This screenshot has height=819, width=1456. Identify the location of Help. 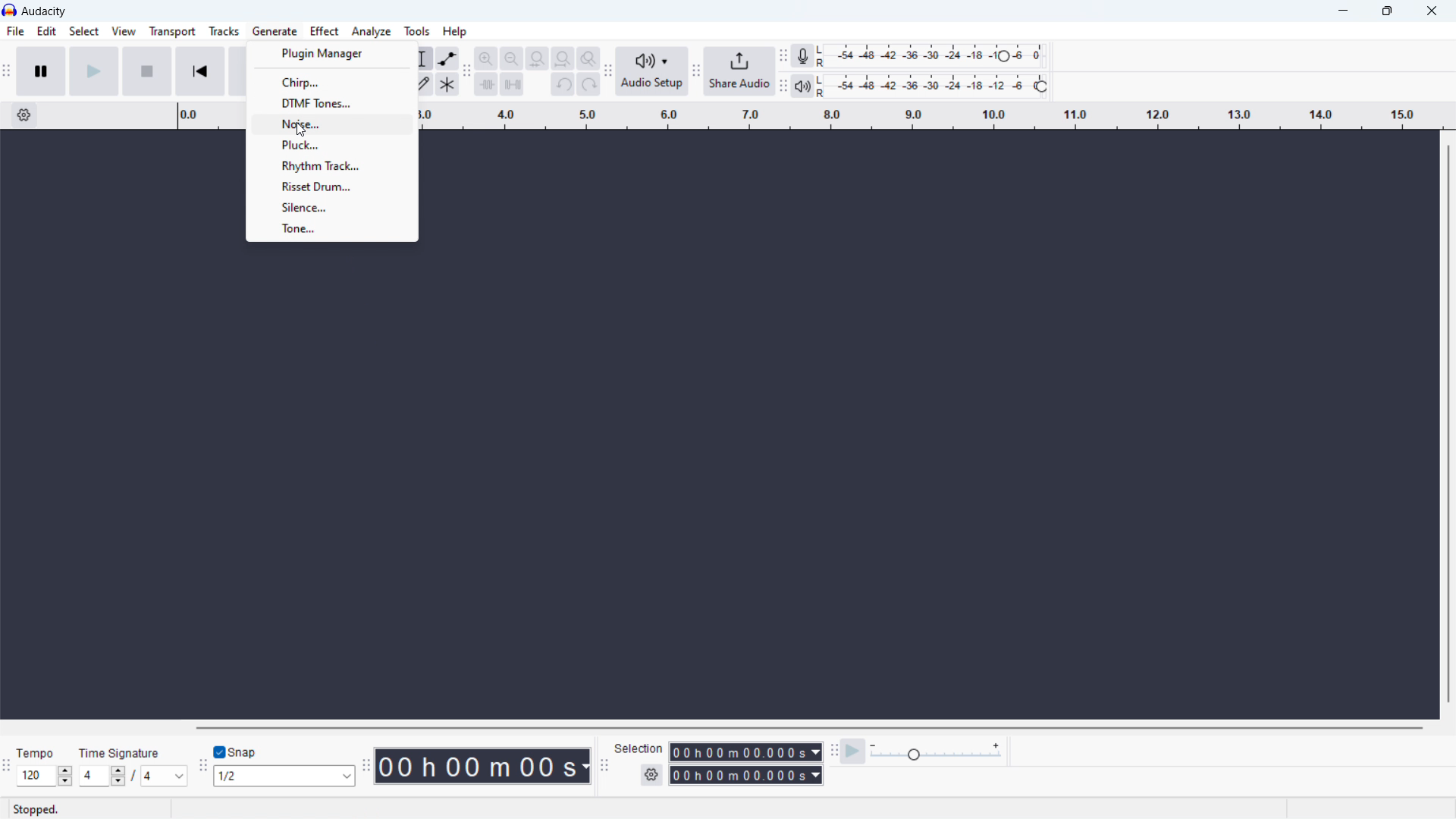
(458, 31).